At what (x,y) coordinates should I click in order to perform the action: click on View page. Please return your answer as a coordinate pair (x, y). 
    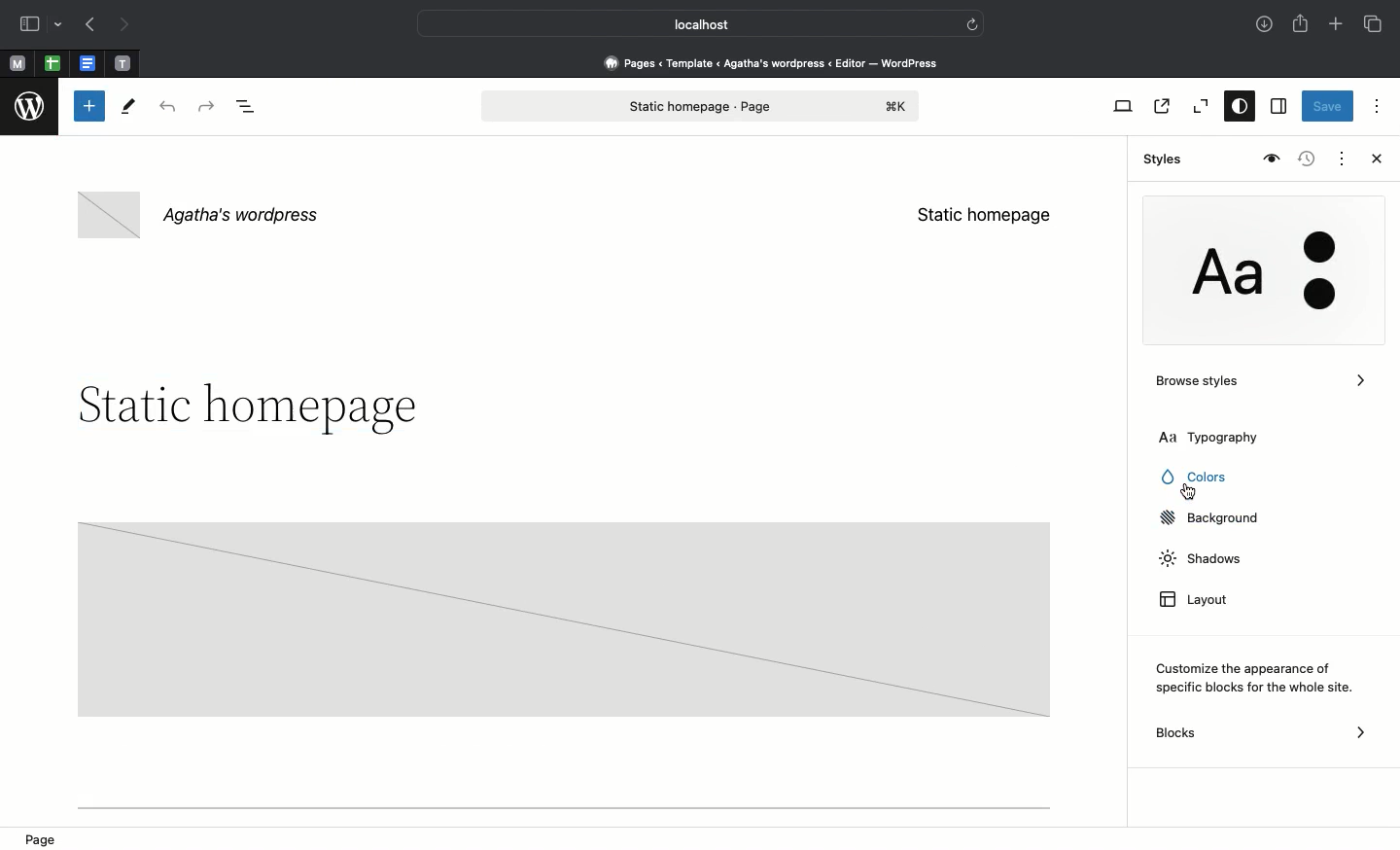
    Looking at the image, I should click on (1160, 106).